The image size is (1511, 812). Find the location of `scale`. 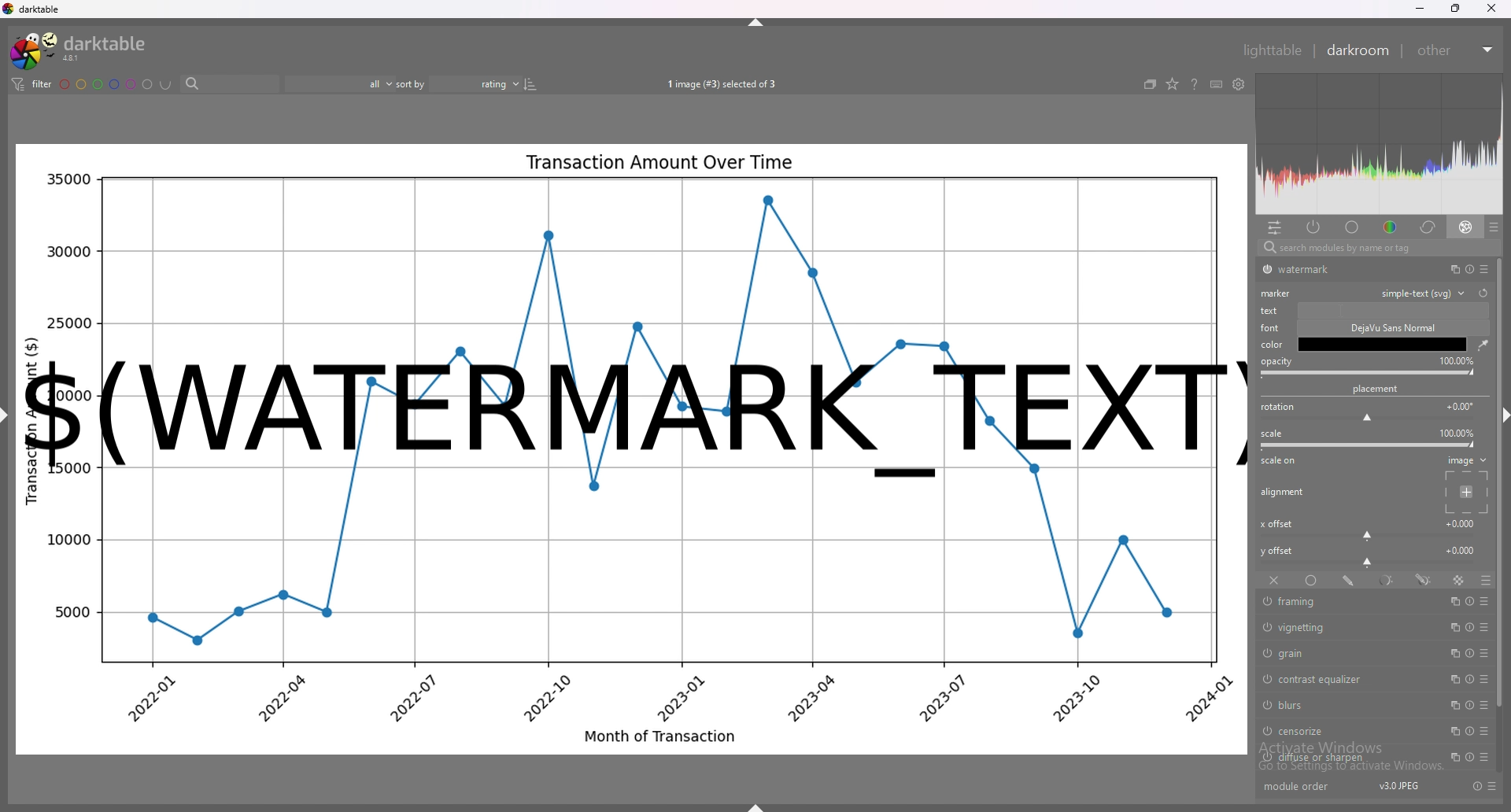

scale is located at coordinates (1272, 434).